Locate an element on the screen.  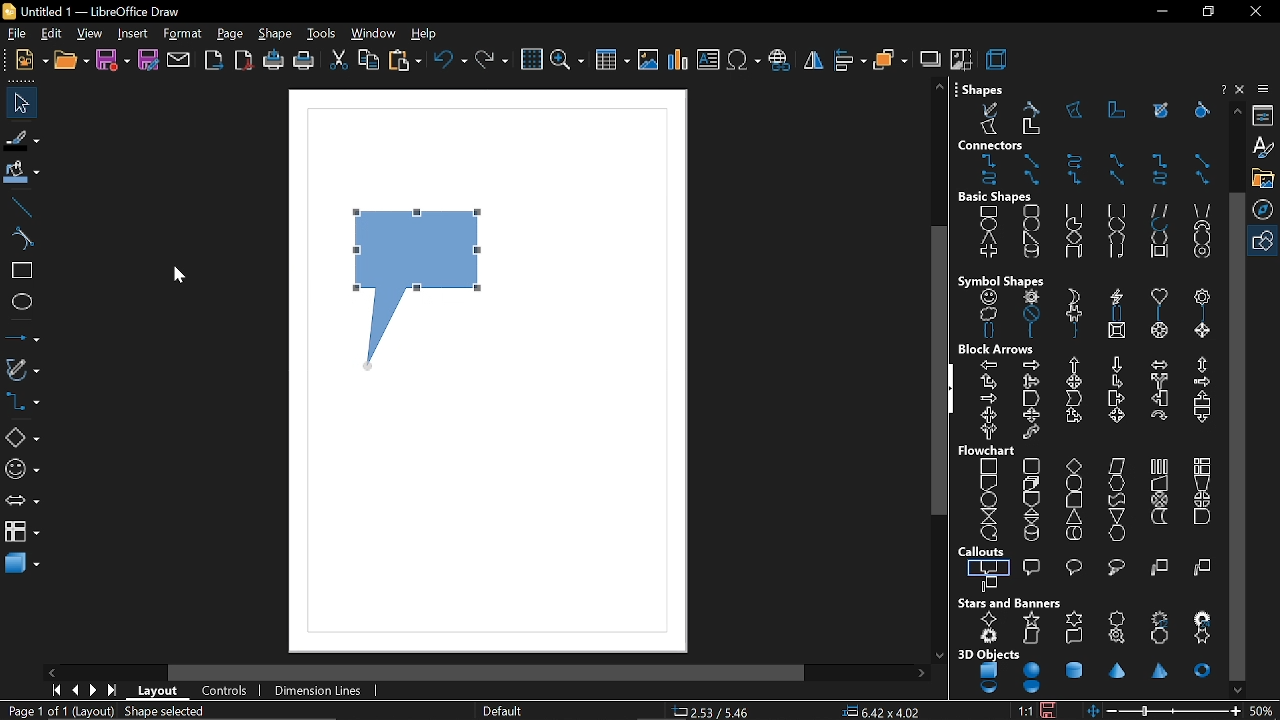
cube is located at coordinates (990, 671).